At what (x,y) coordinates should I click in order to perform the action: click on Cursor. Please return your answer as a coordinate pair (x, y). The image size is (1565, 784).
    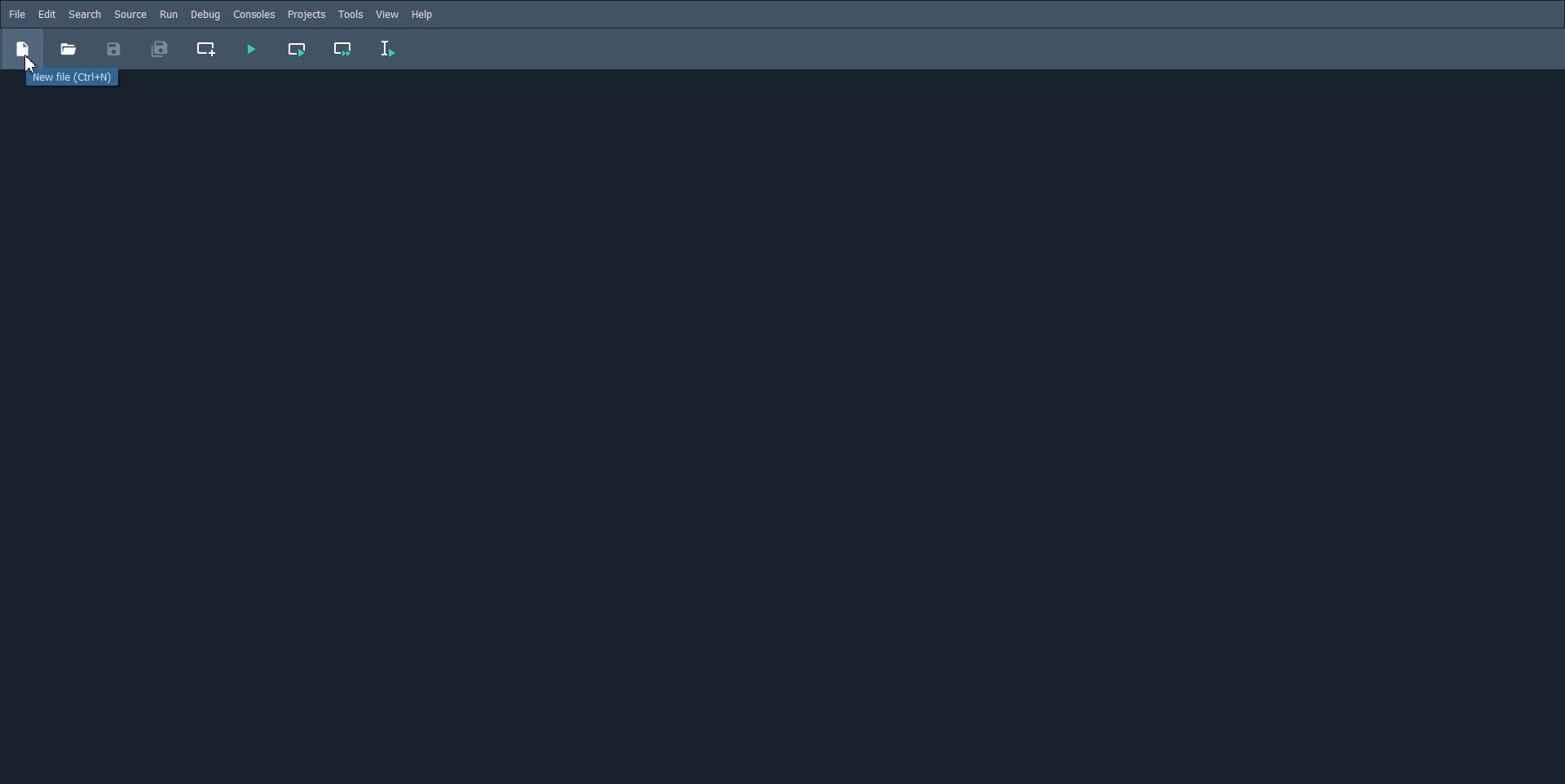
    Looking at the image, I should click on (33, 64).